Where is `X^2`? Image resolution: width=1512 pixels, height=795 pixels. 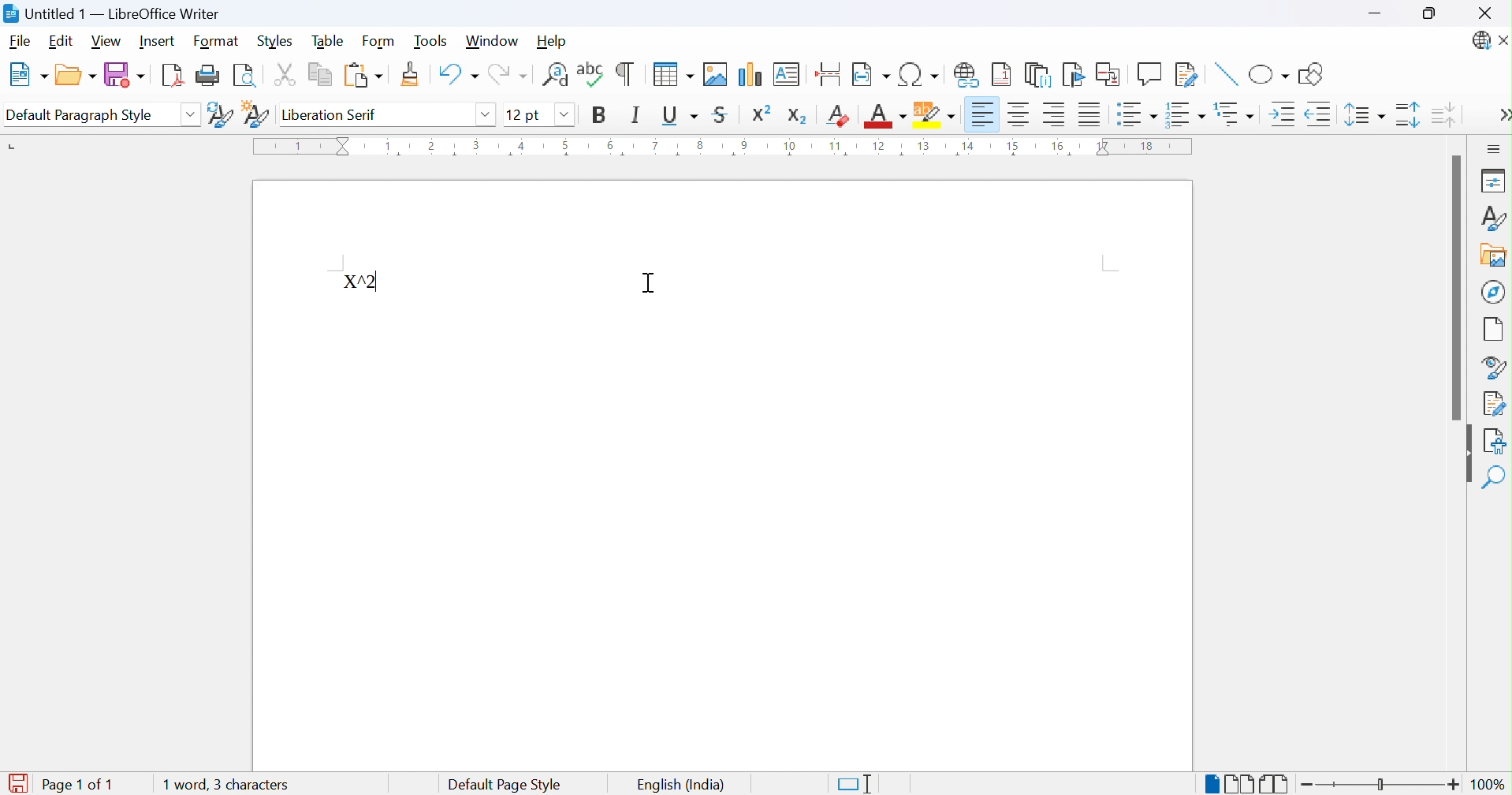
X^2 is located at coordinates (359, 282).